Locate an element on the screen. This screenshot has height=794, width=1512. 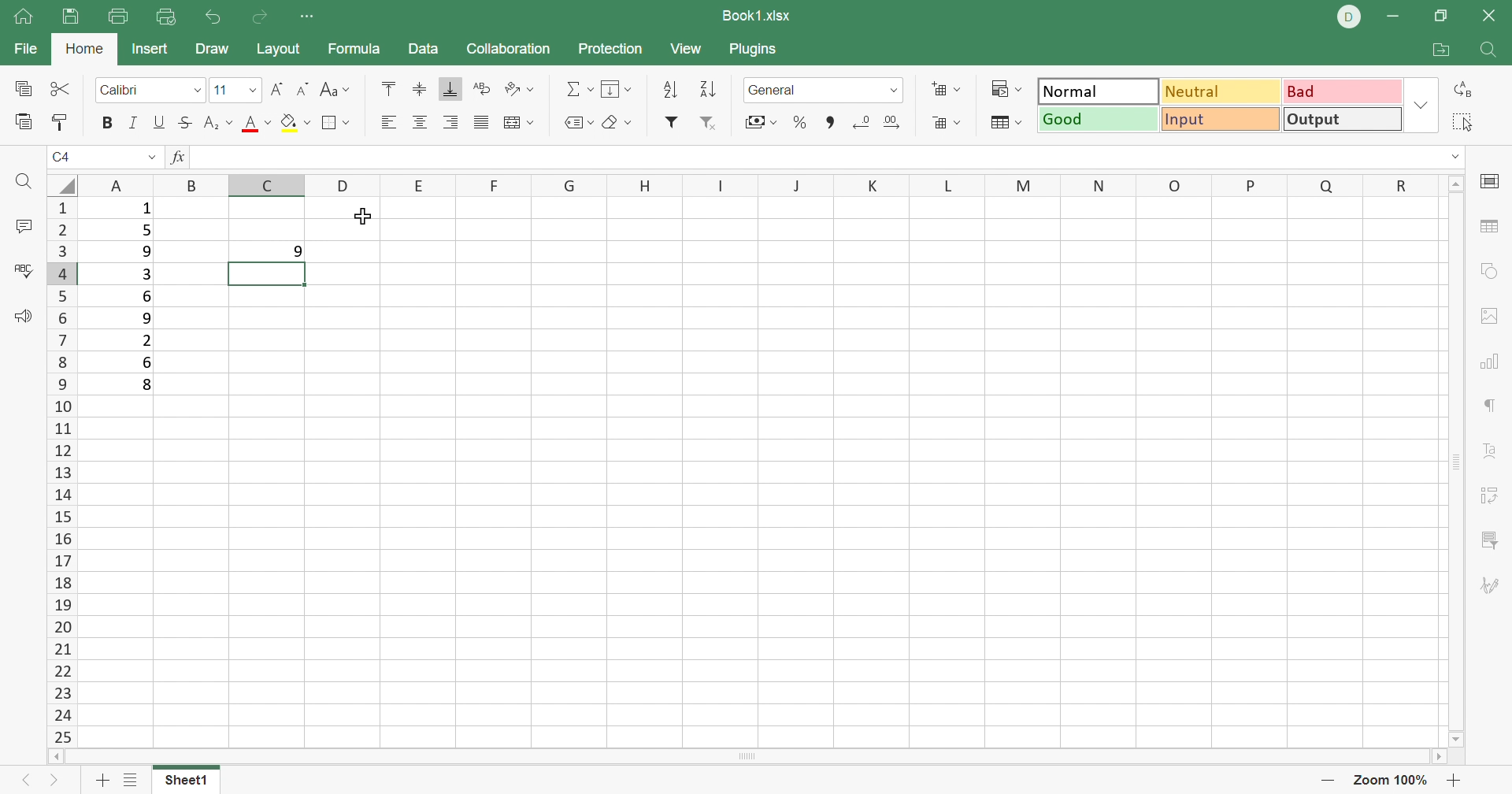
Cut is located at coordinates (60, 88).